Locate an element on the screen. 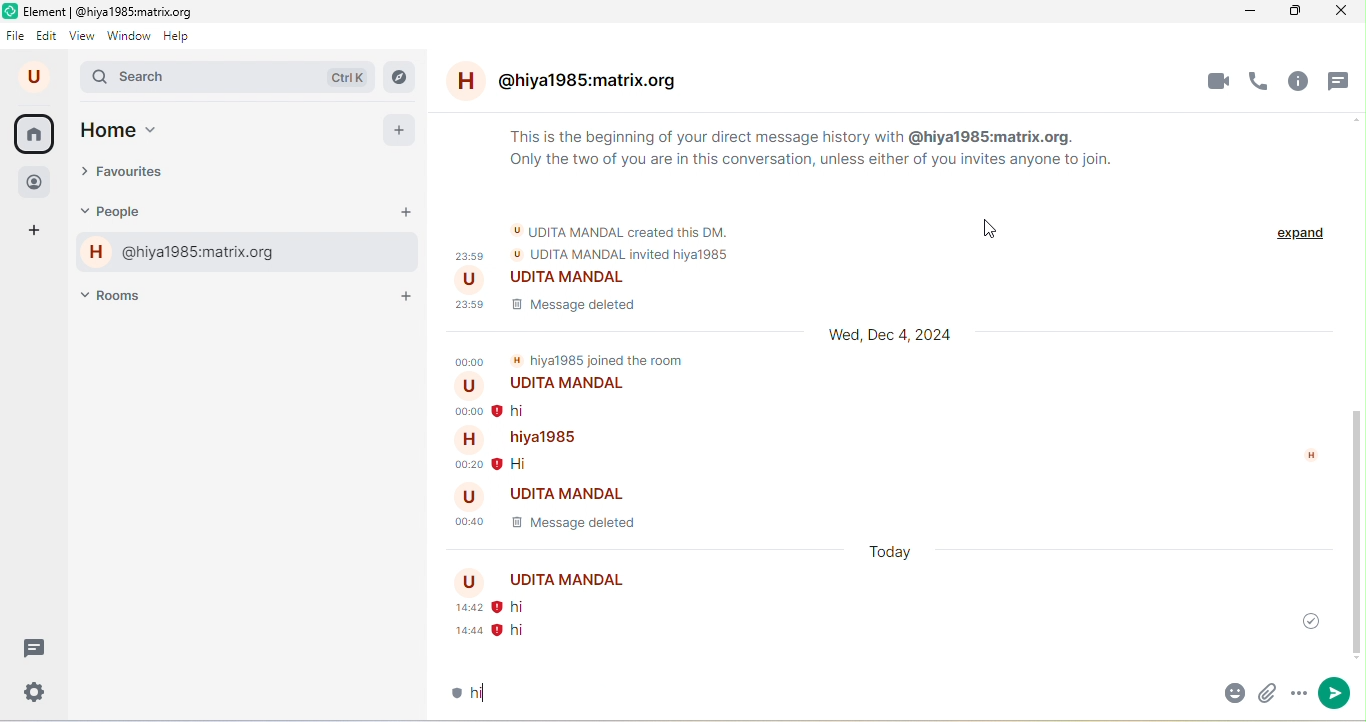 The image size is (1366, 722). edit is located at coordinates (48, 37).